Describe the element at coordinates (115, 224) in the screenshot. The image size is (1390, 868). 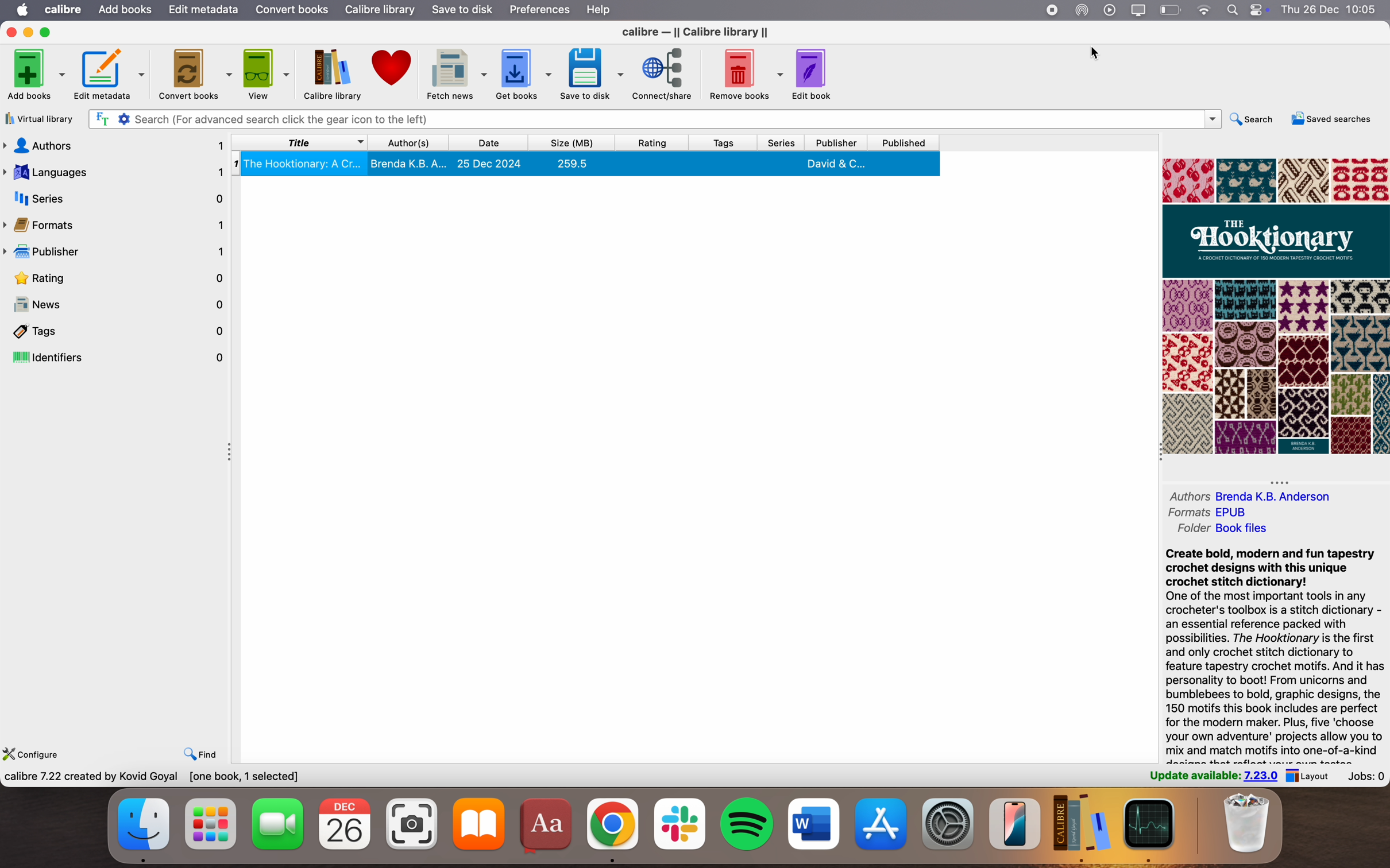
I see `formats` at that location.